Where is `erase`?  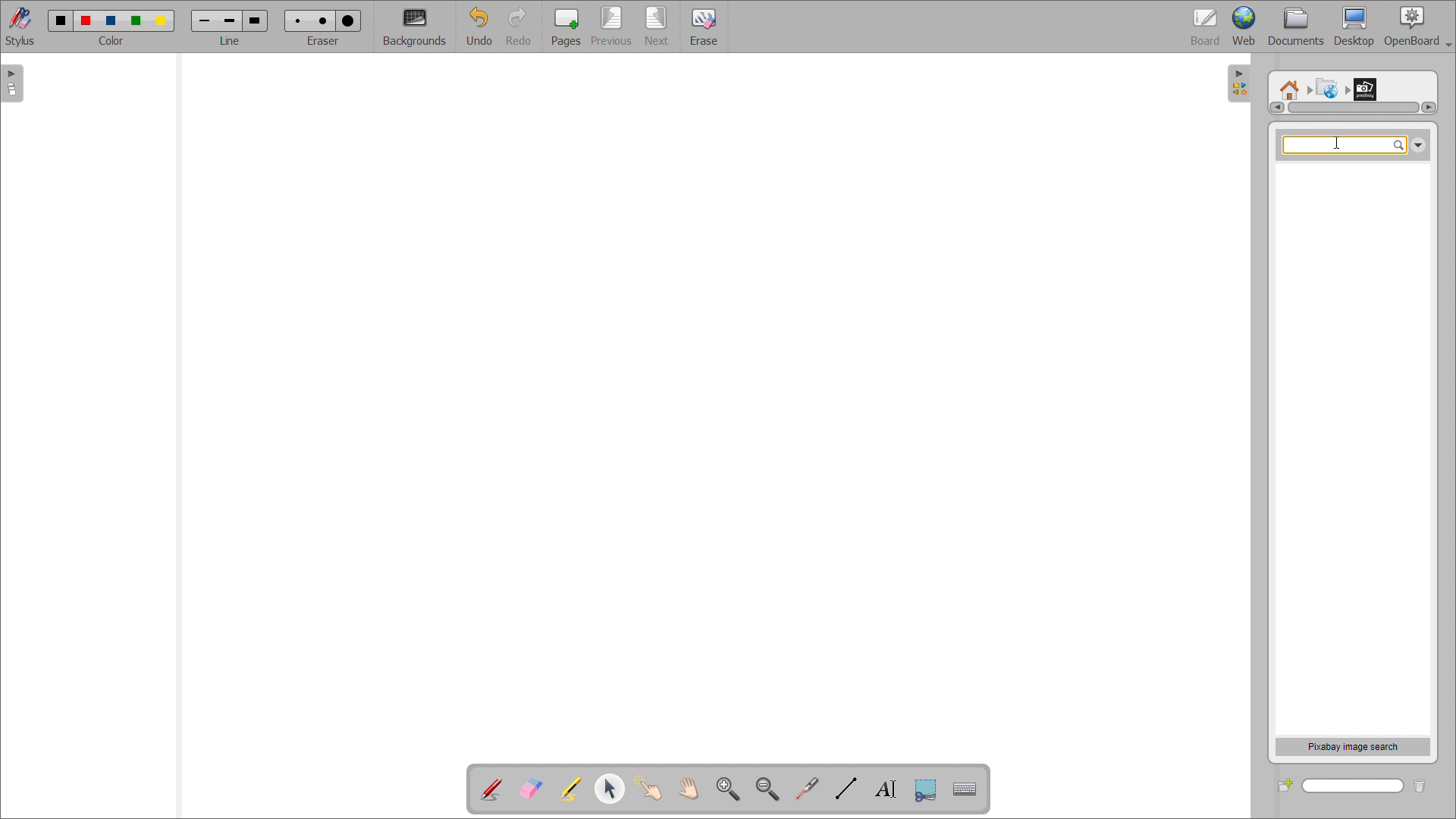
erase is located at coordinates (703, 26).